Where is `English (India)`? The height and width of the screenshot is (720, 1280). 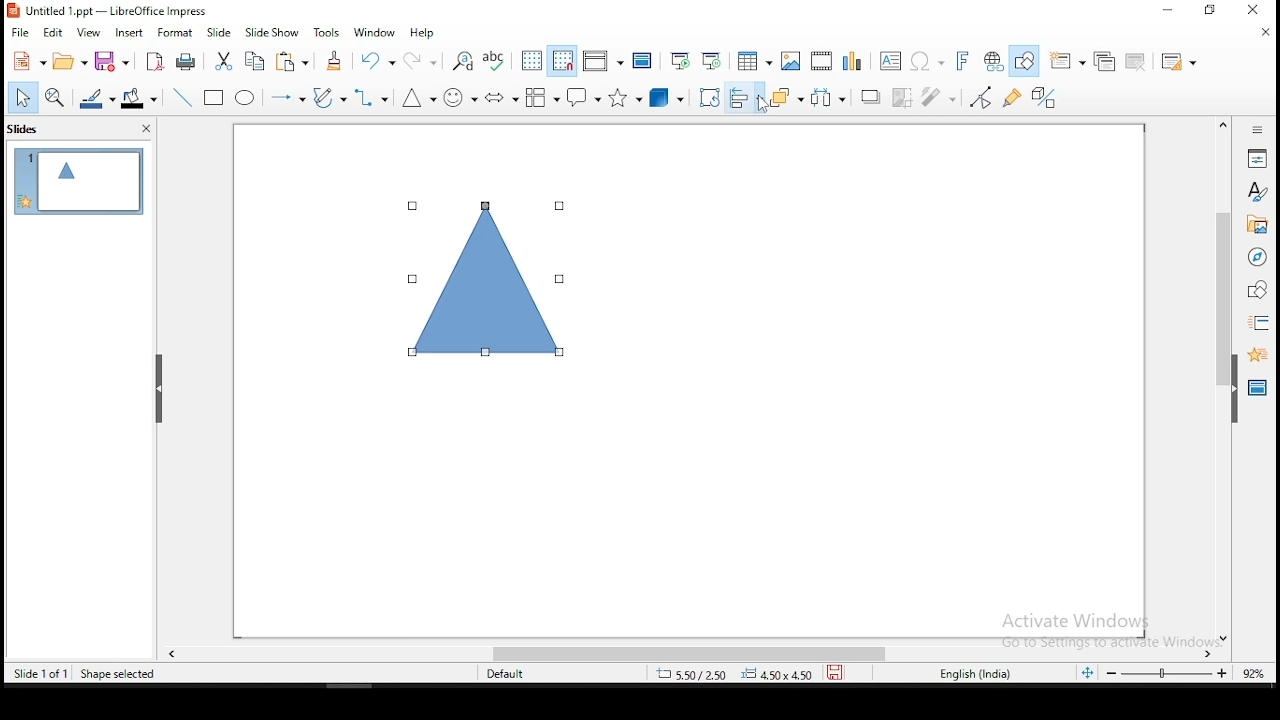 English (India) is located at coordinates (974, 675).